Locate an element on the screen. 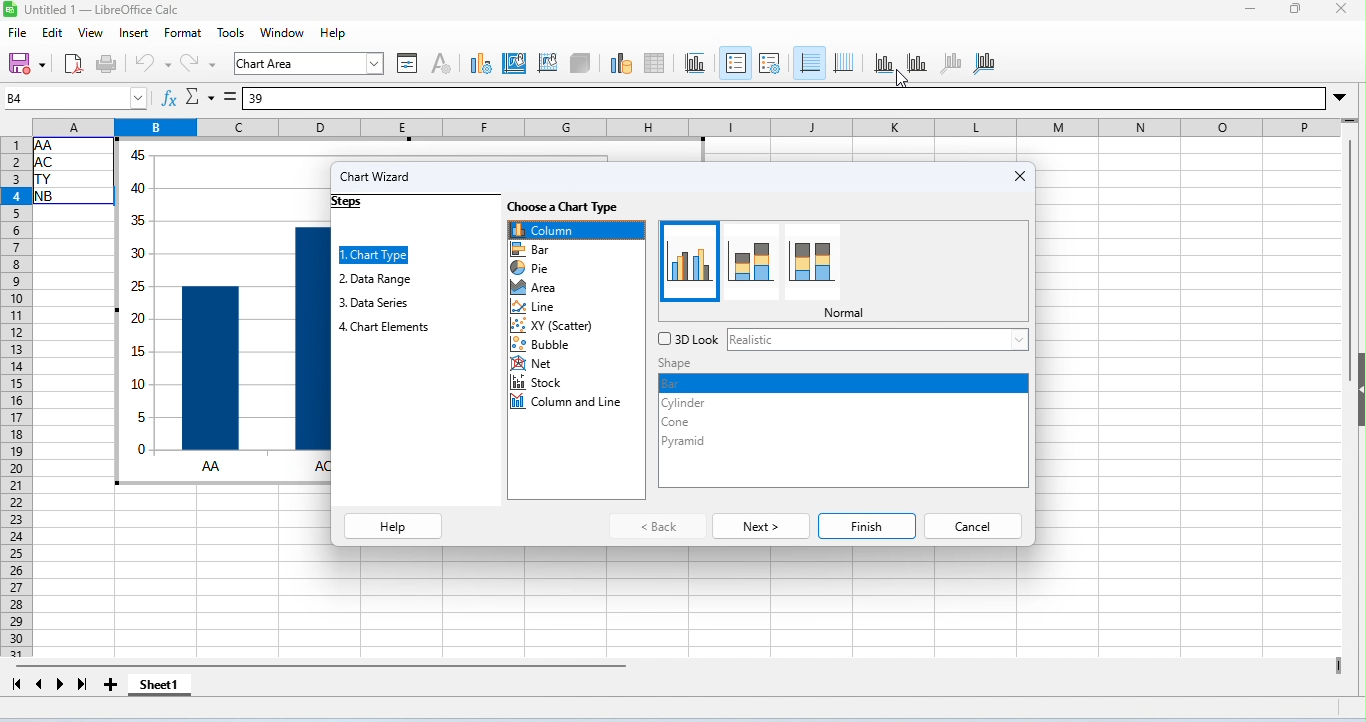  chart area is located at coordinates (306, 62).